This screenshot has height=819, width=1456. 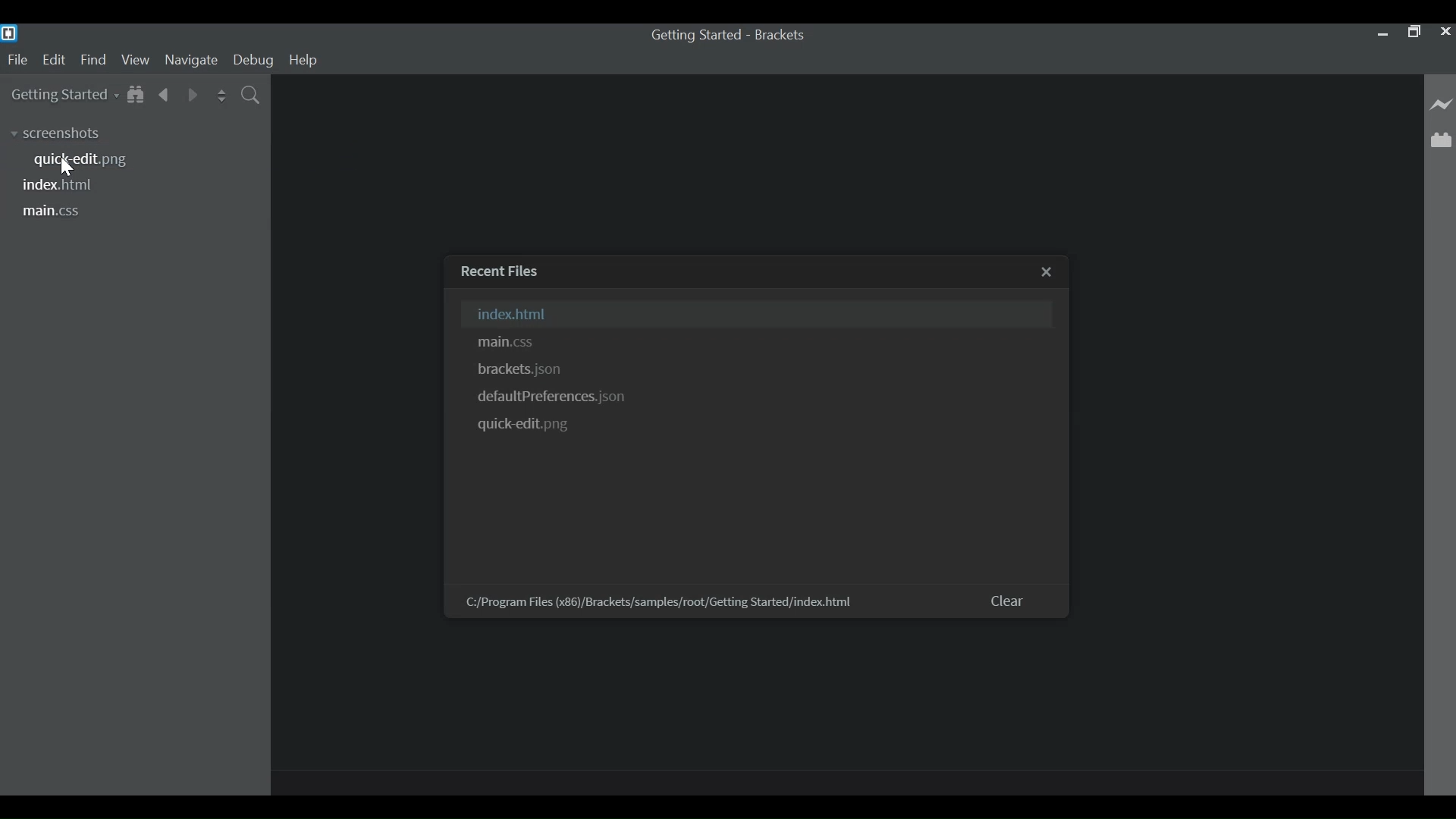 I want to click on brackets.json, so click(x=522, y=371).